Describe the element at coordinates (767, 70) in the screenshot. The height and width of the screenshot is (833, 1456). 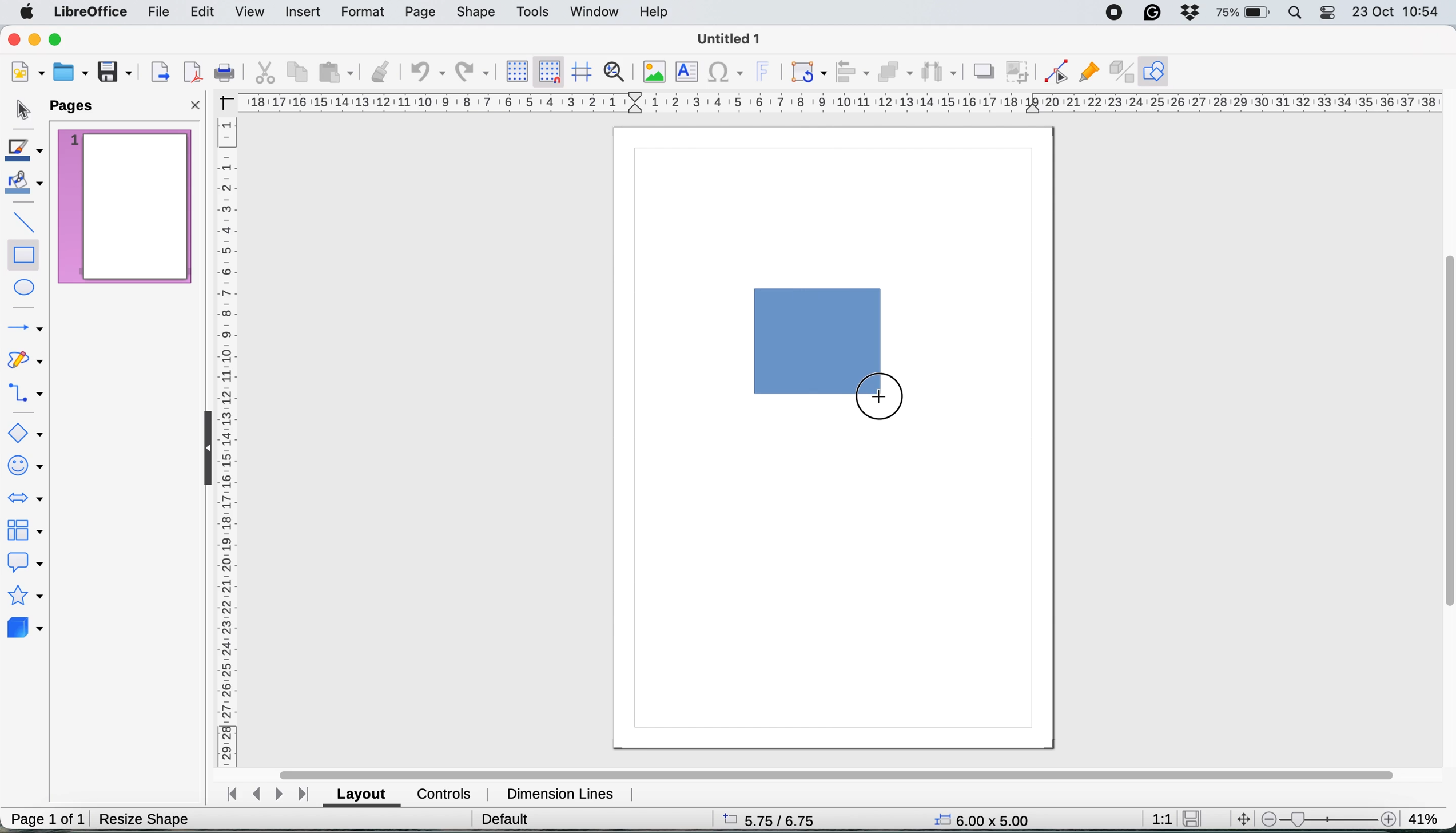
I see `insert fontwork text` at that location.